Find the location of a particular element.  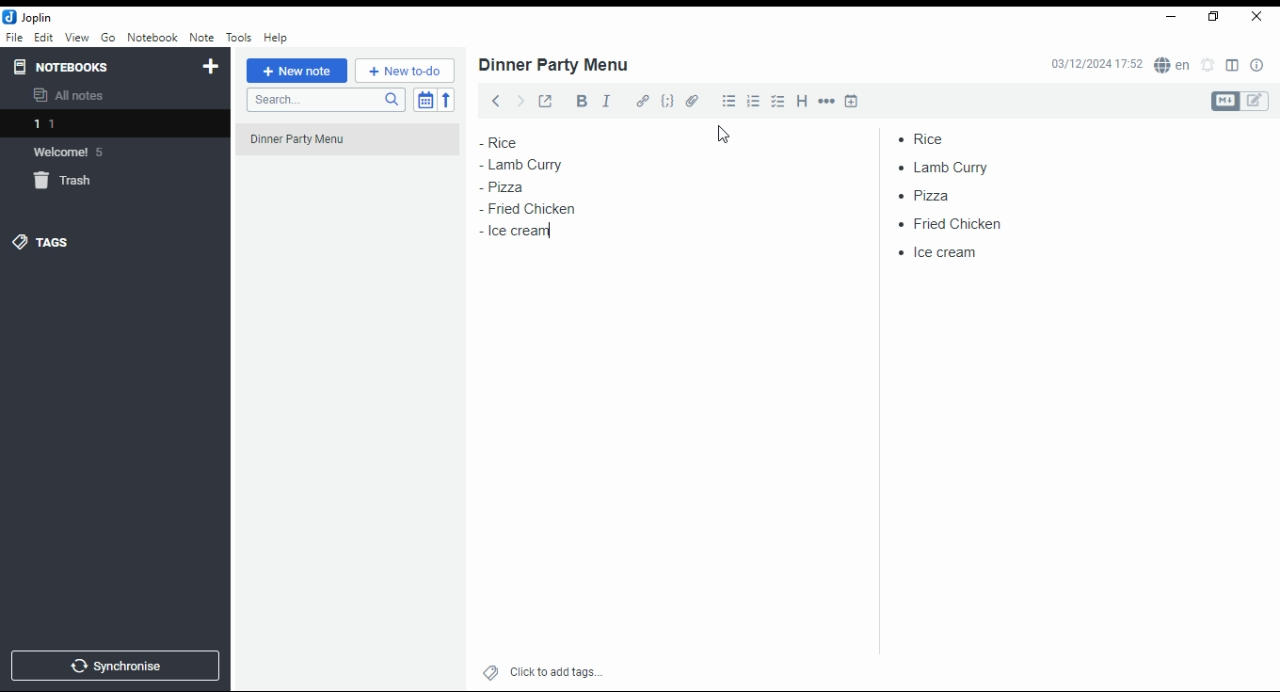

toggle external editing is located at coordinates (545, 101).